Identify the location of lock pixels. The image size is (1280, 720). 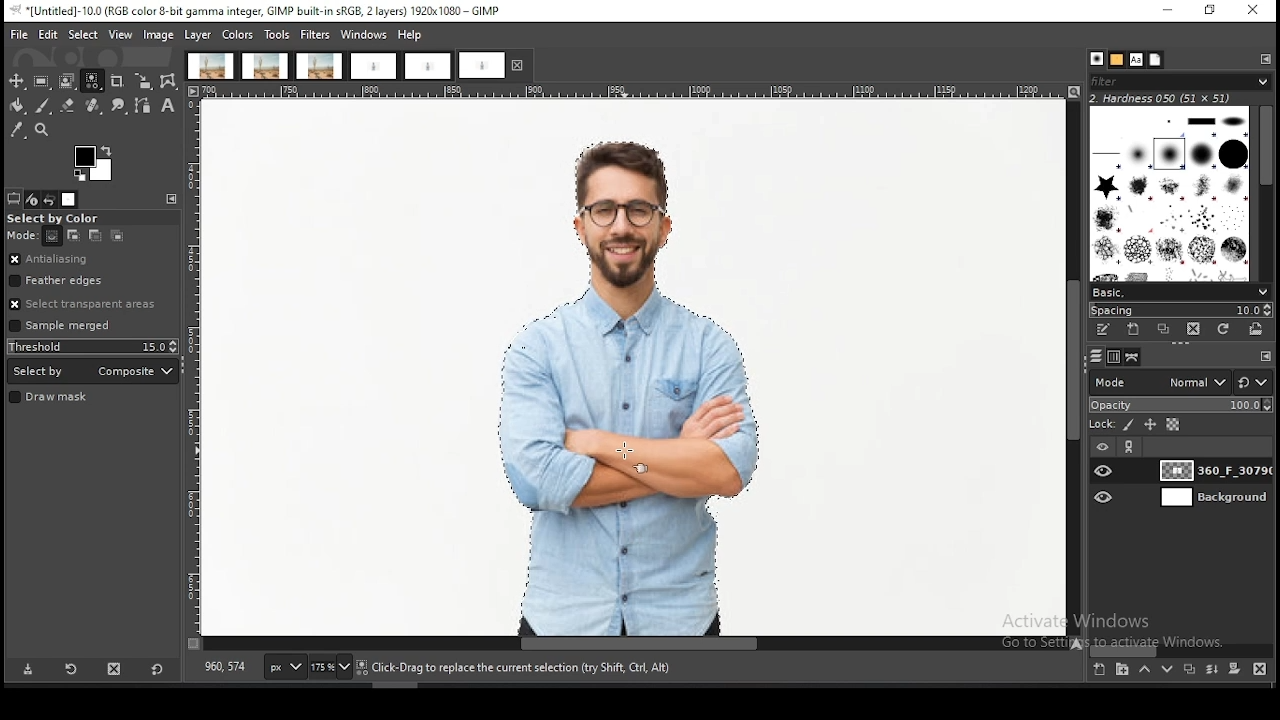
(1129, 426).